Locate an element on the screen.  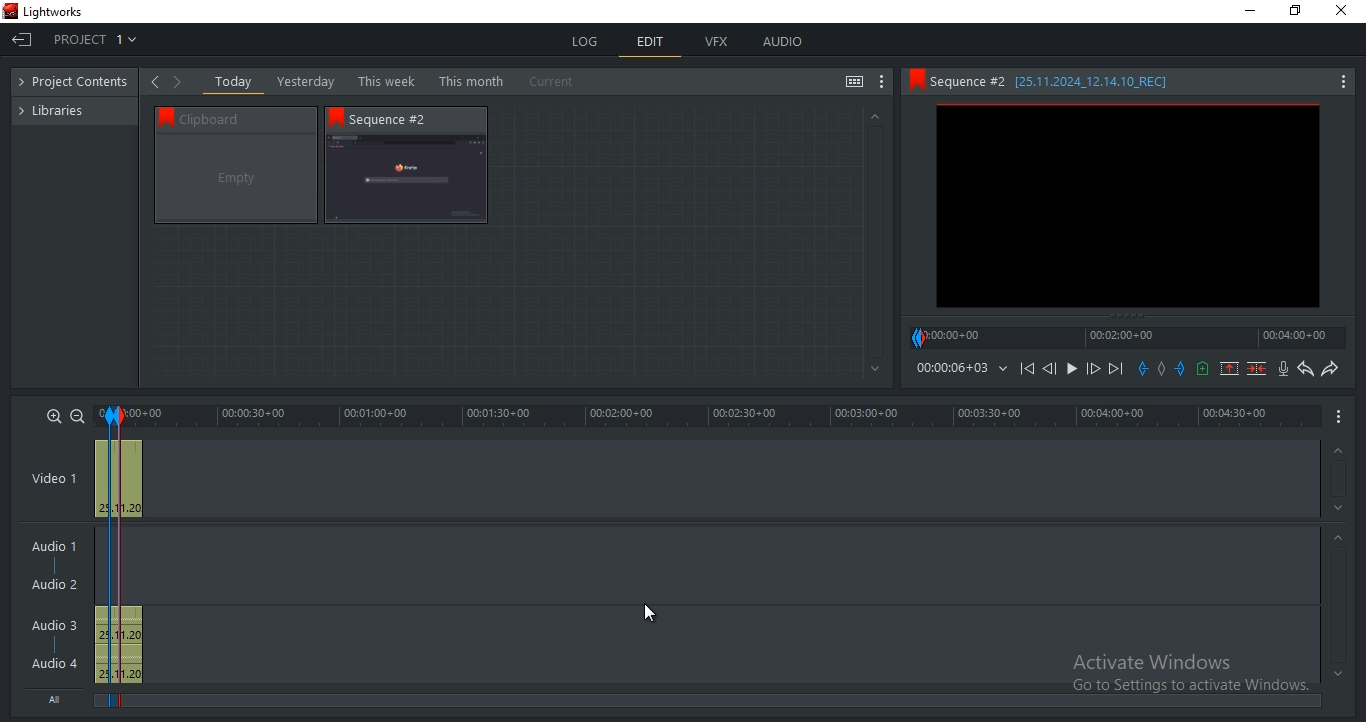
Play is located at coordinates (1072, 369).